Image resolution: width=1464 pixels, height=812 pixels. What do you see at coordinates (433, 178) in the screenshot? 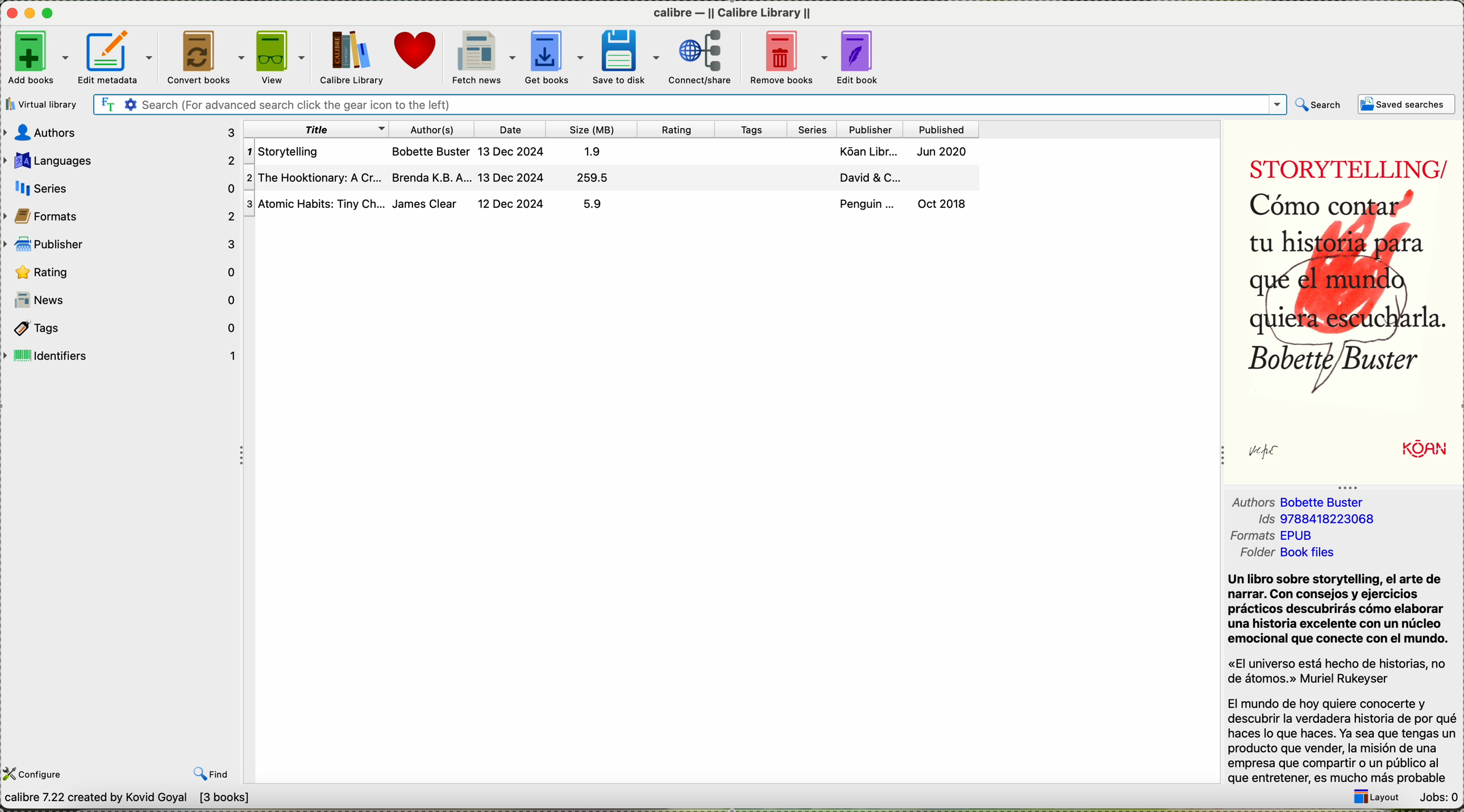
I see `Brenda K.B.A` at bounding box center [433, 178].